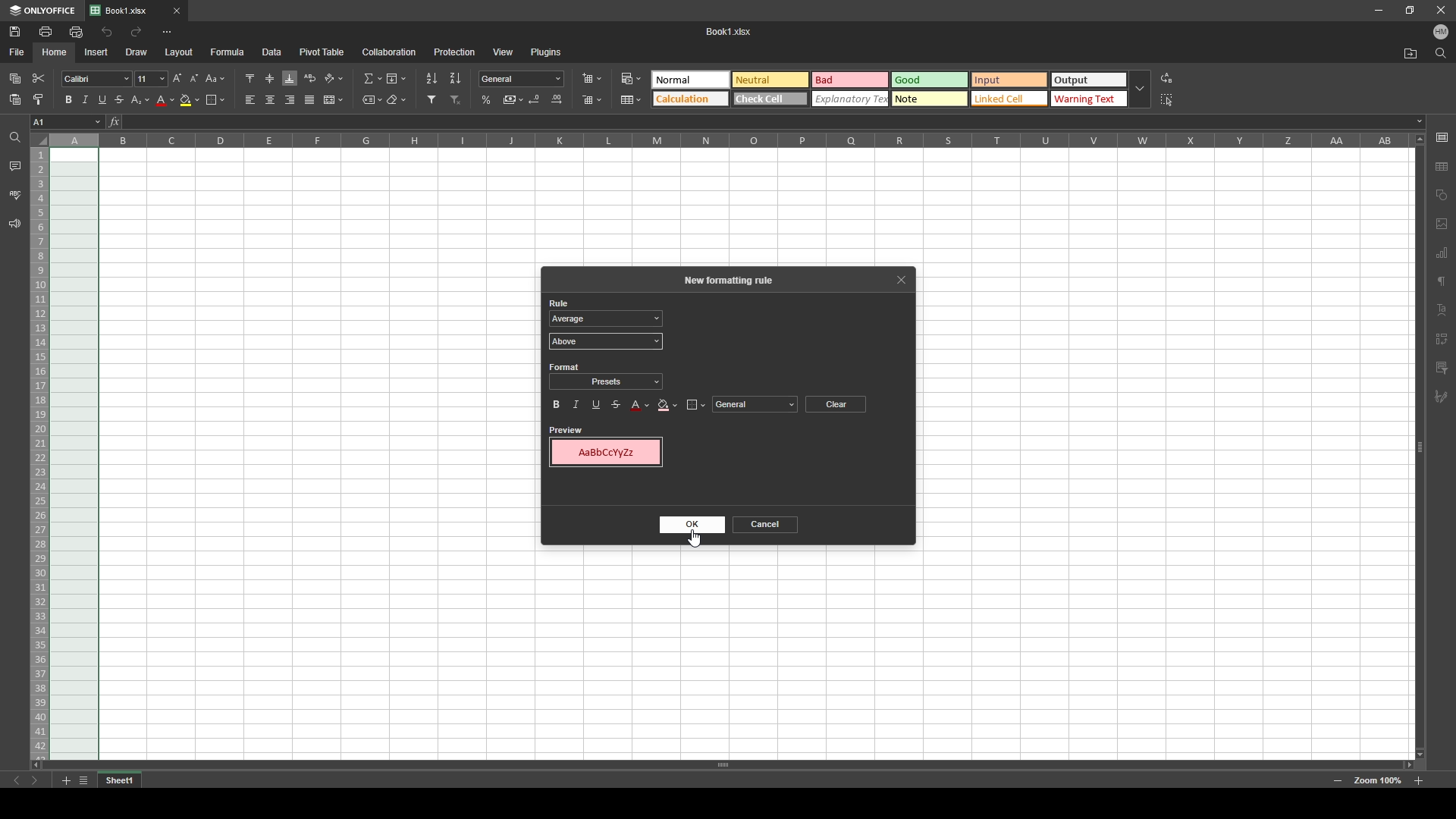  What do you see at coordinates (772, 122) in the screenshot?
I see `input box` at bounding box center [772, 122].